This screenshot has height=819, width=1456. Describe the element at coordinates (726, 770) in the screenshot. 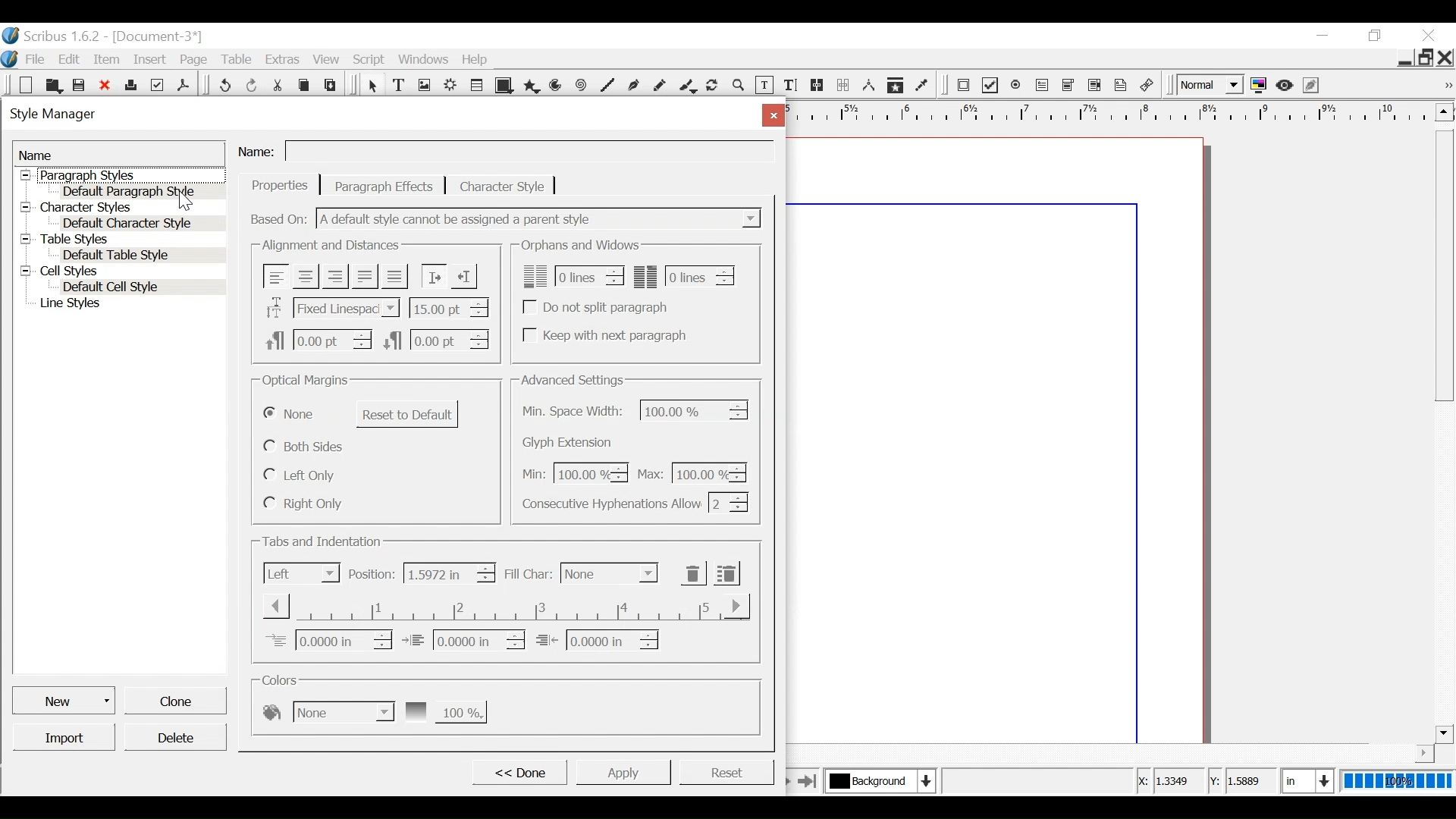

I see `Reset` at that location.